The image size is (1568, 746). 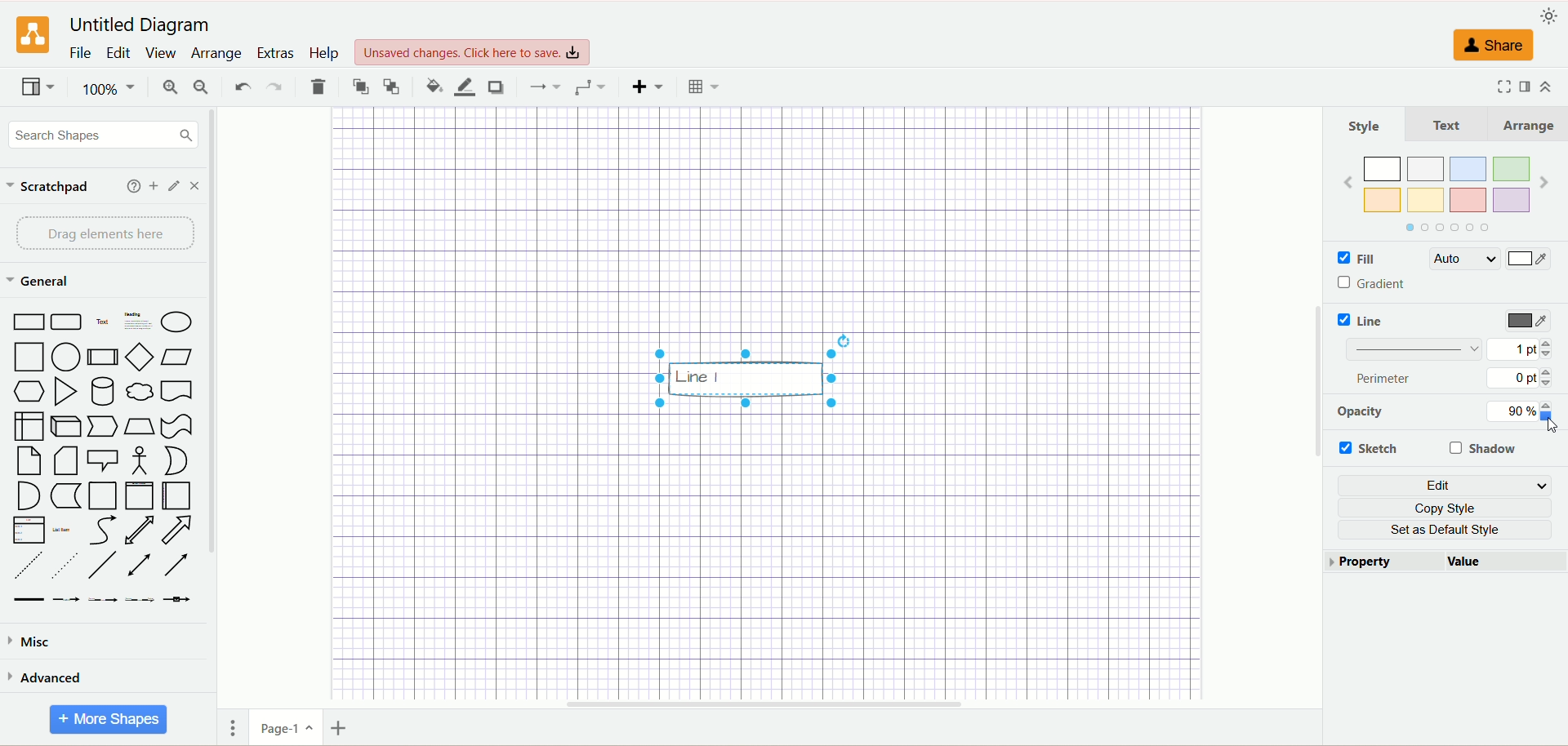 What do you see at coordinates (1379, 562) in the screenshot?
I see `property` at bounding box center [1379, 562].